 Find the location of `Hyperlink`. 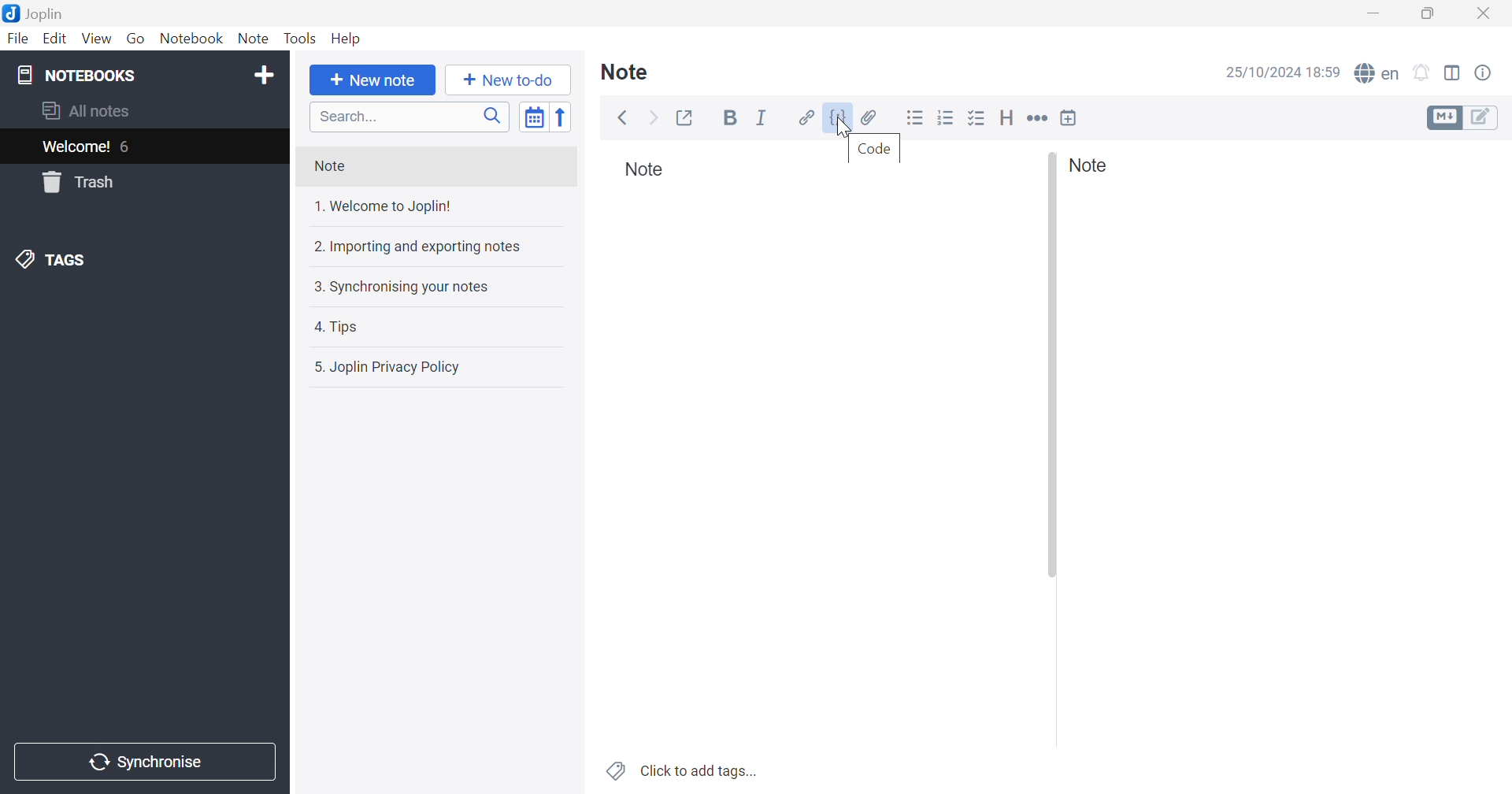

Hyperlink is located at coordinates (805, 117).